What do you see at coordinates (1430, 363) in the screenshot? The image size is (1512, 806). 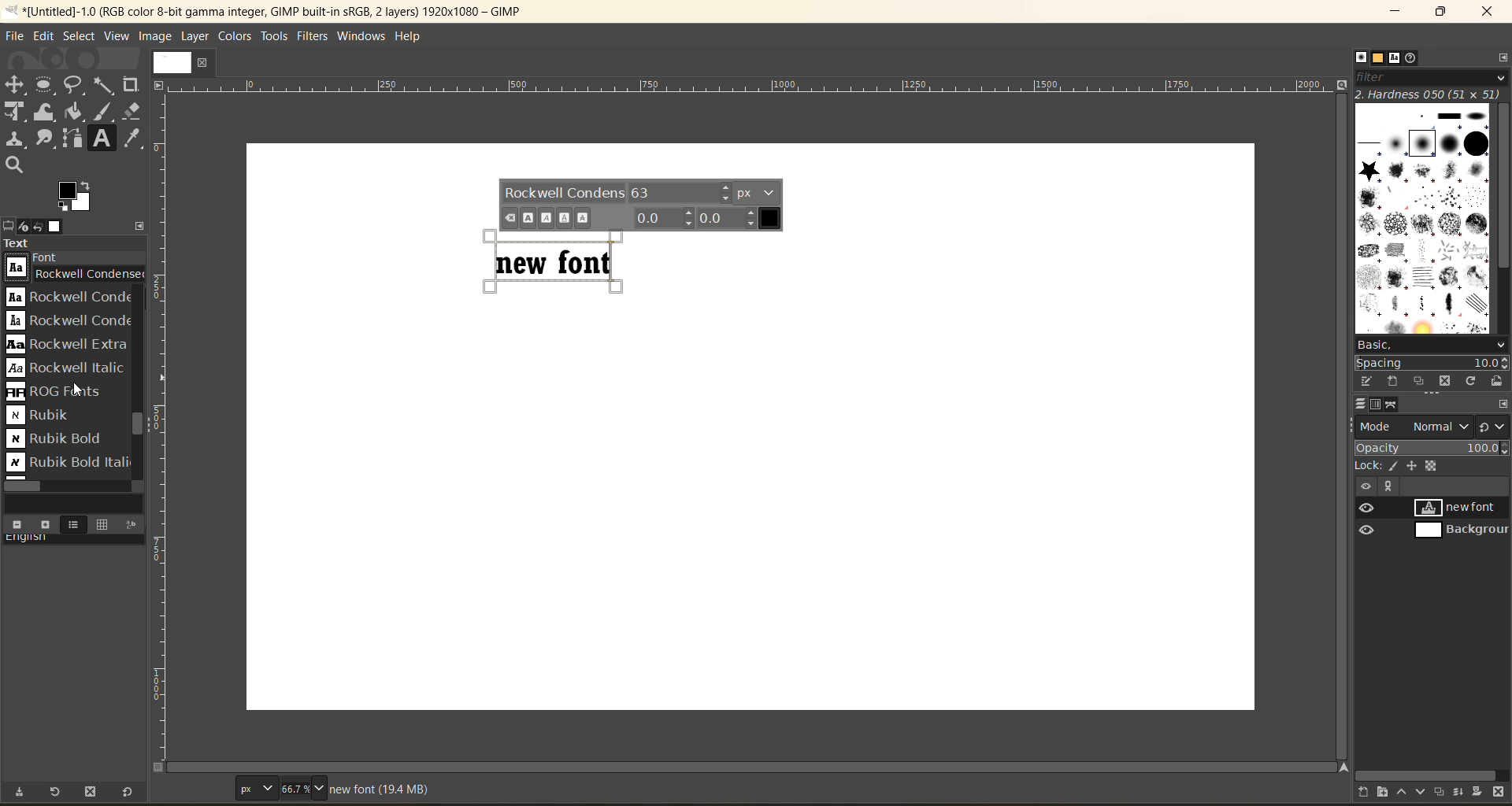 I see `spacing` at bounding box center [1430, 363].